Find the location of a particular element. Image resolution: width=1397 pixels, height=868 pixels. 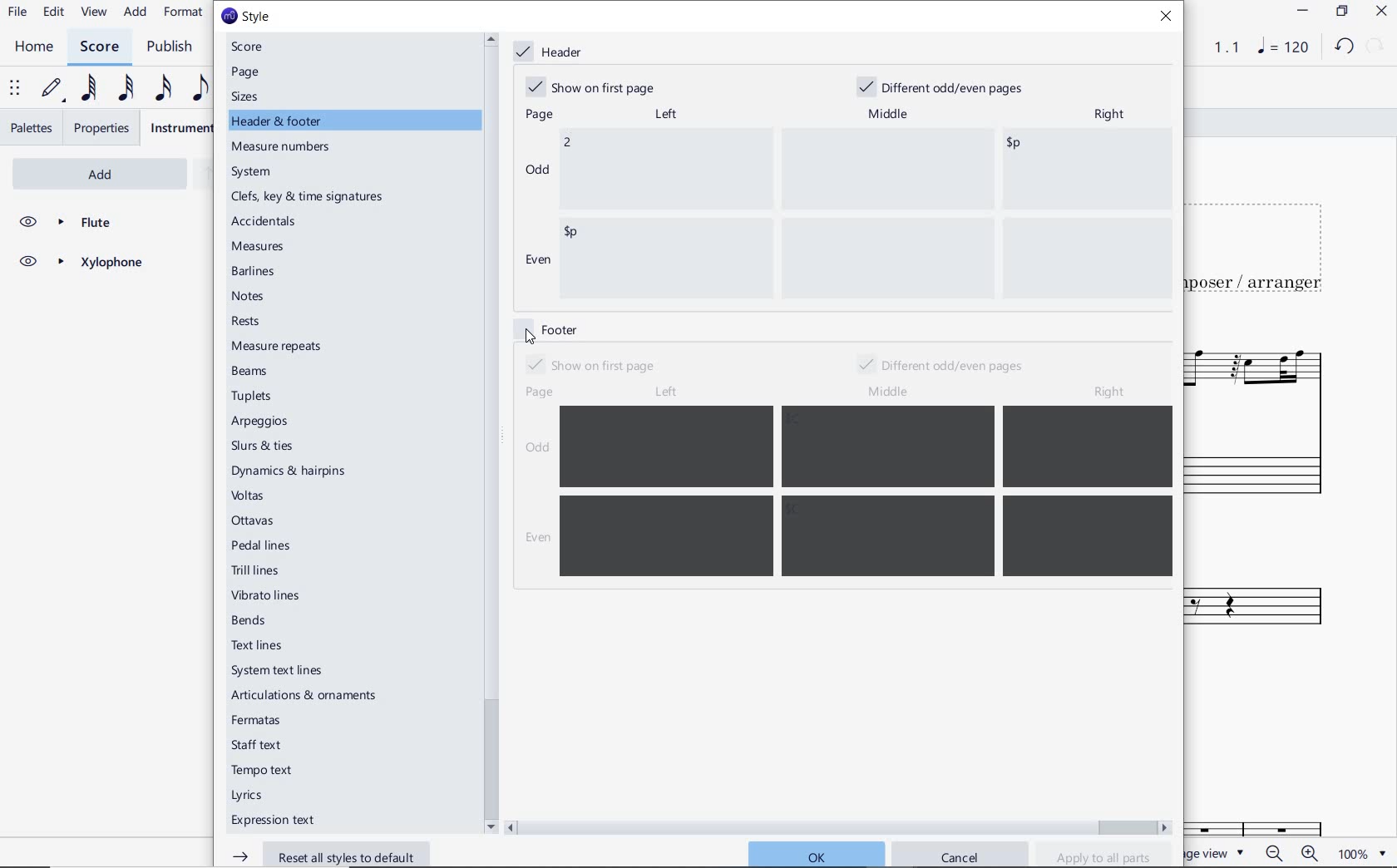

system text lines is located at coordinates (279, 670).